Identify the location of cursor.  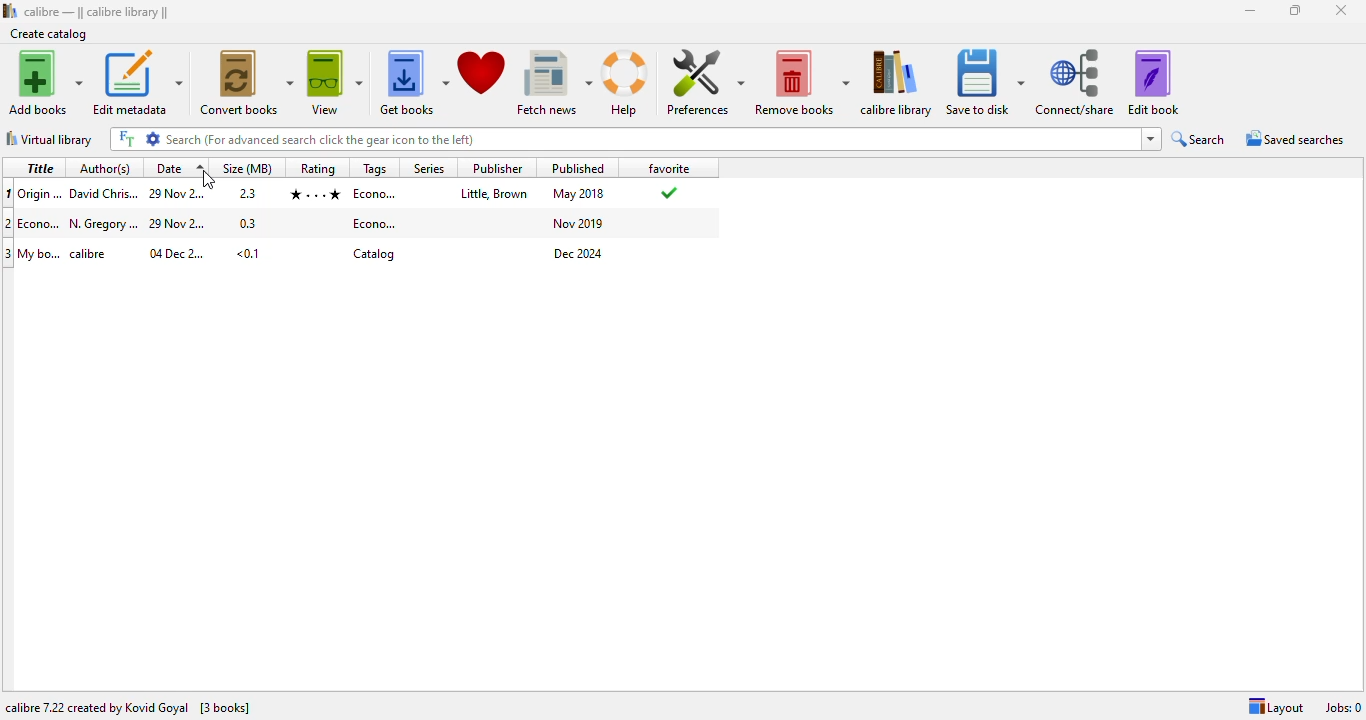
(209, 181).